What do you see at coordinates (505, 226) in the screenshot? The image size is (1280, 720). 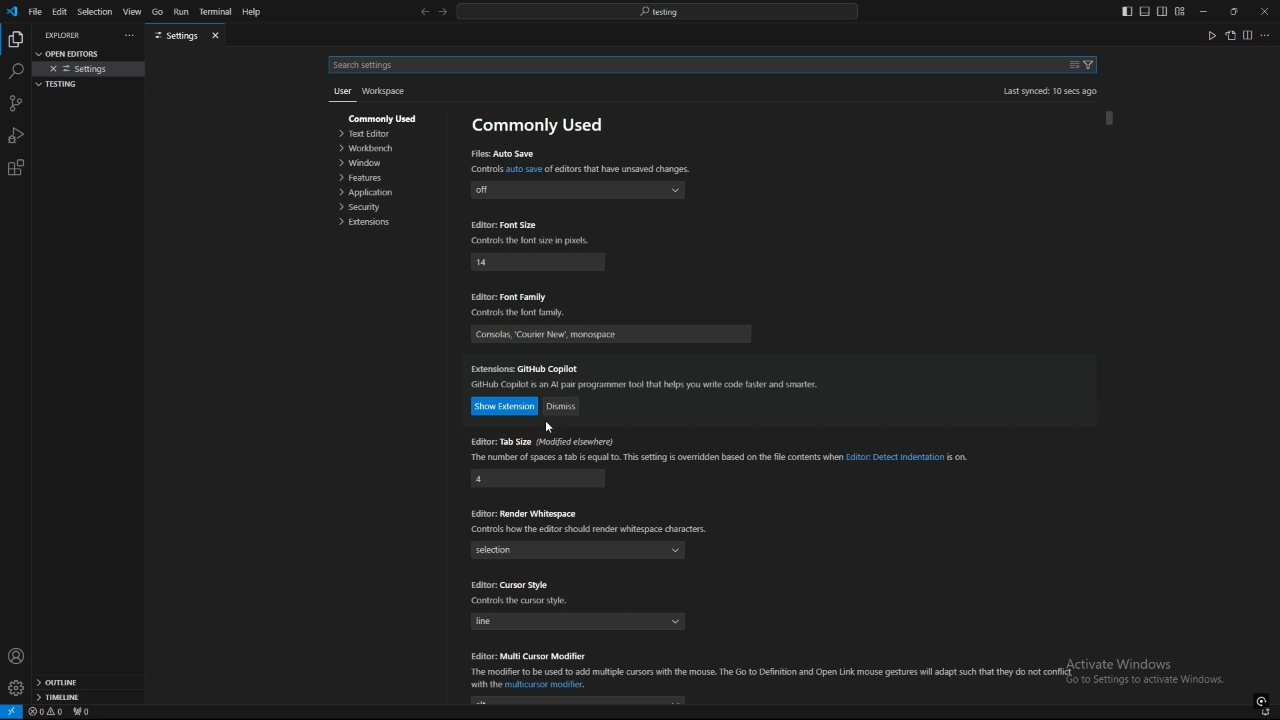 I see `editor font size` at bounding box center [505, 226].